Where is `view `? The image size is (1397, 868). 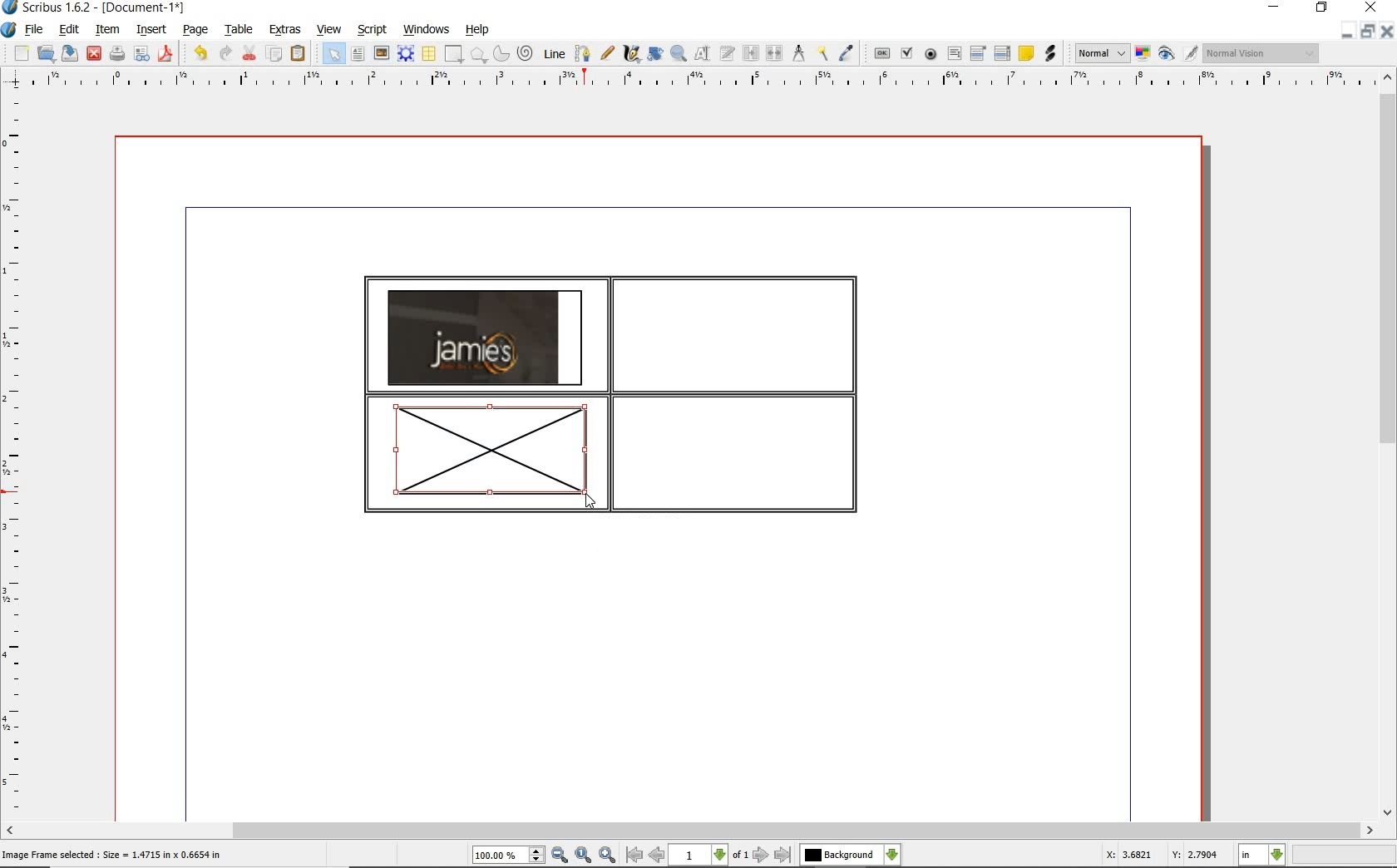
view  is located at coordinates (332, 30).